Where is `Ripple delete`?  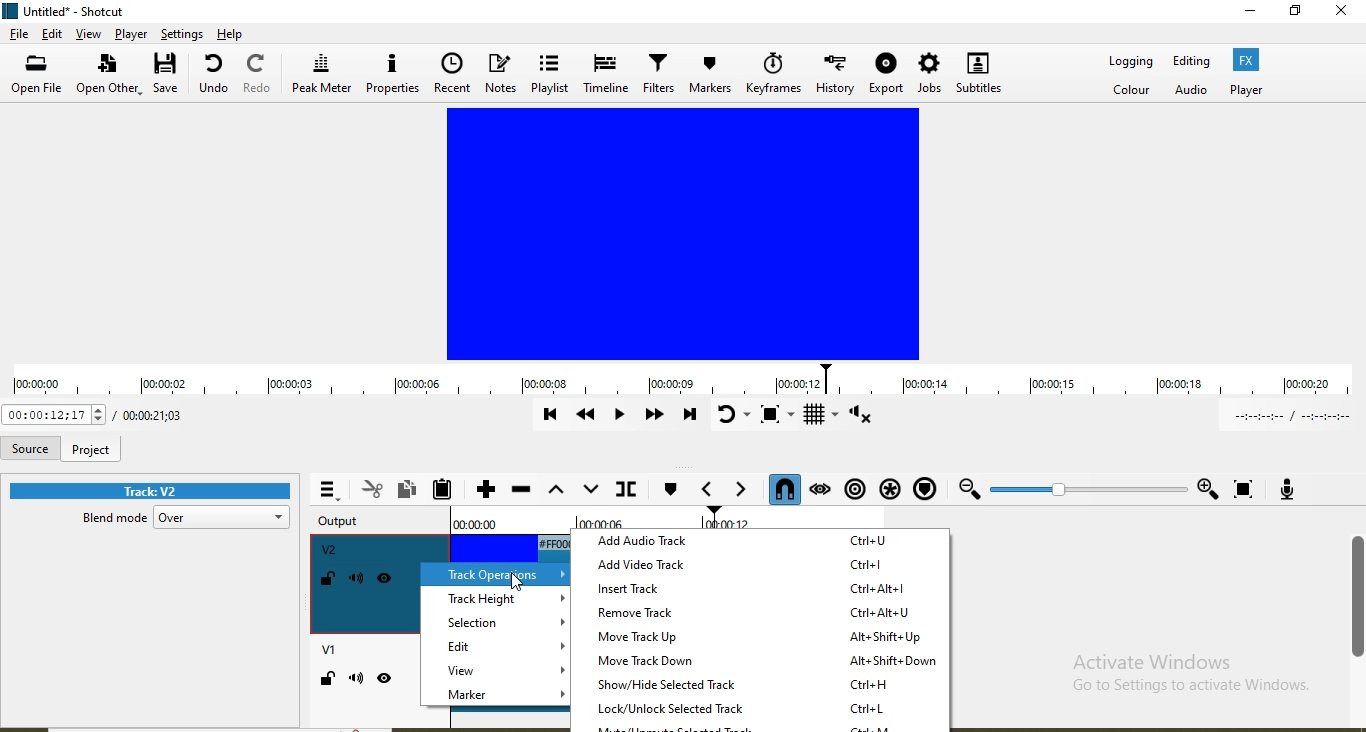
Ripple delete is located at coordinates (521, 490).